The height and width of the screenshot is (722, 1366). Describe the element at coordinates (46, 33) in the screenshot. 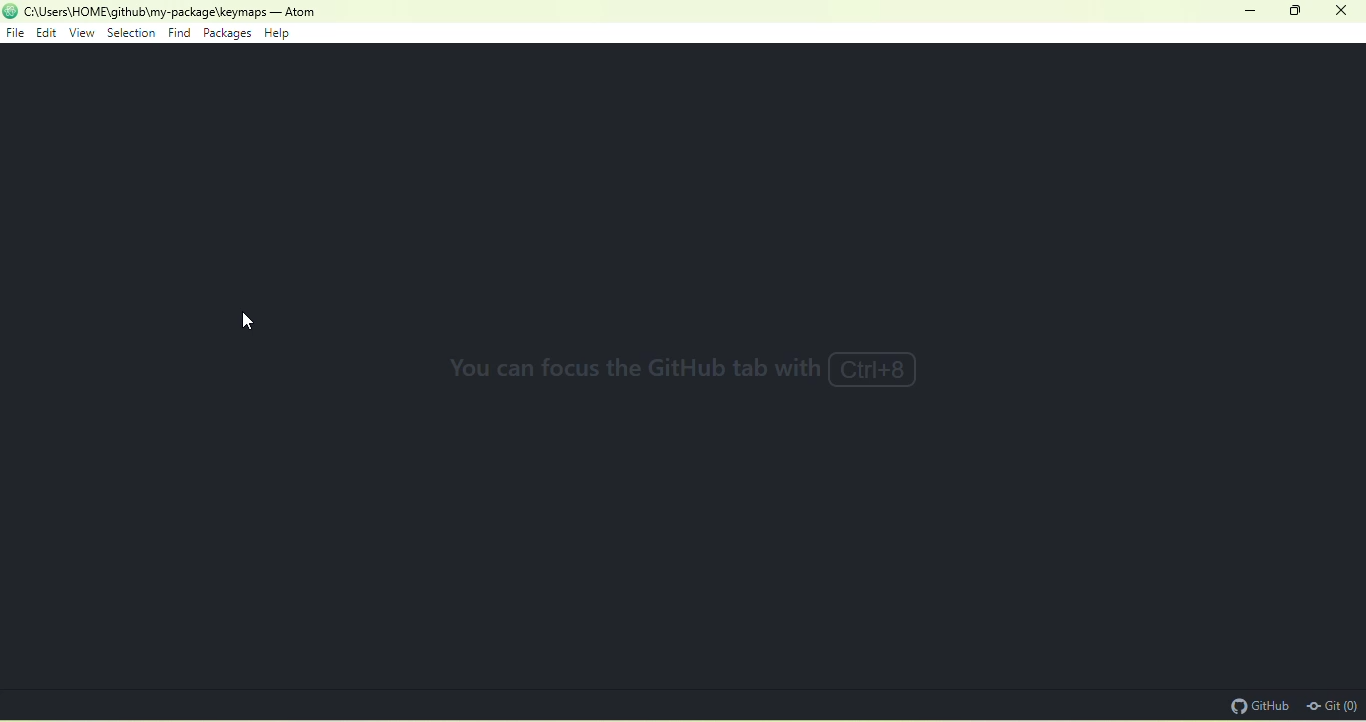

I see `edit` at that location.